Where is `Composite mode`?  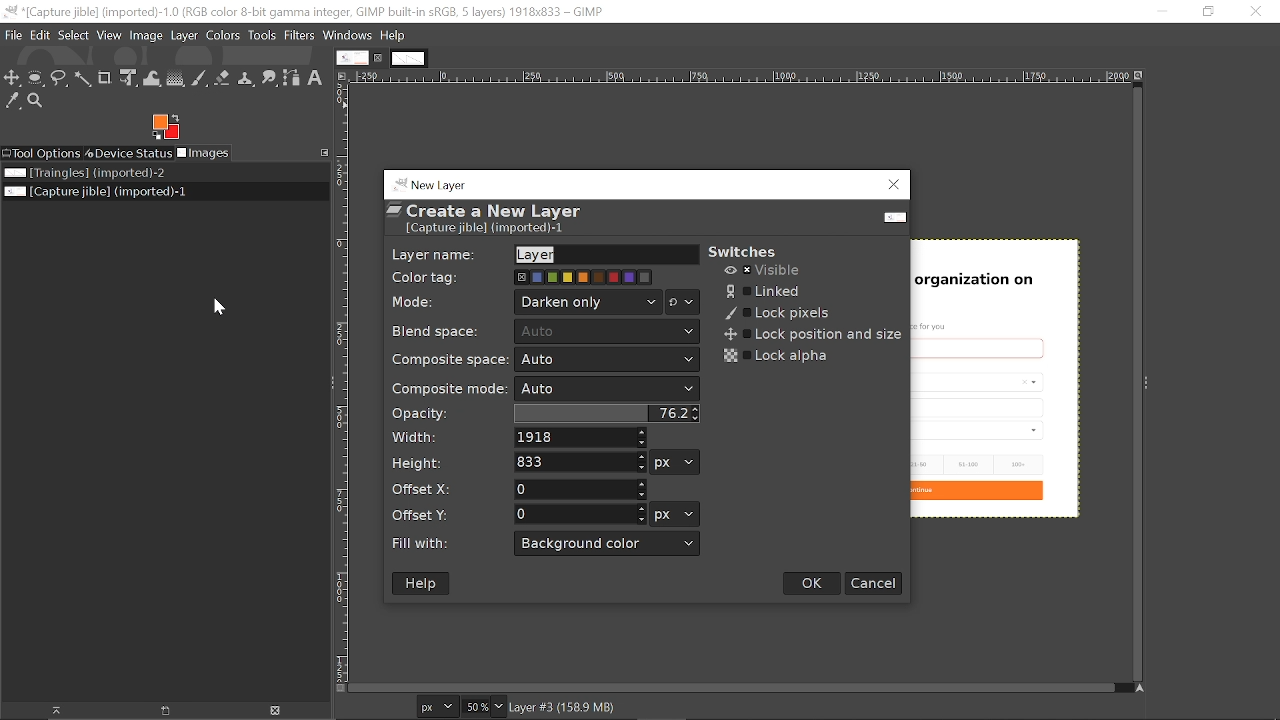 Composite mode is located at coordinates (607, 389).